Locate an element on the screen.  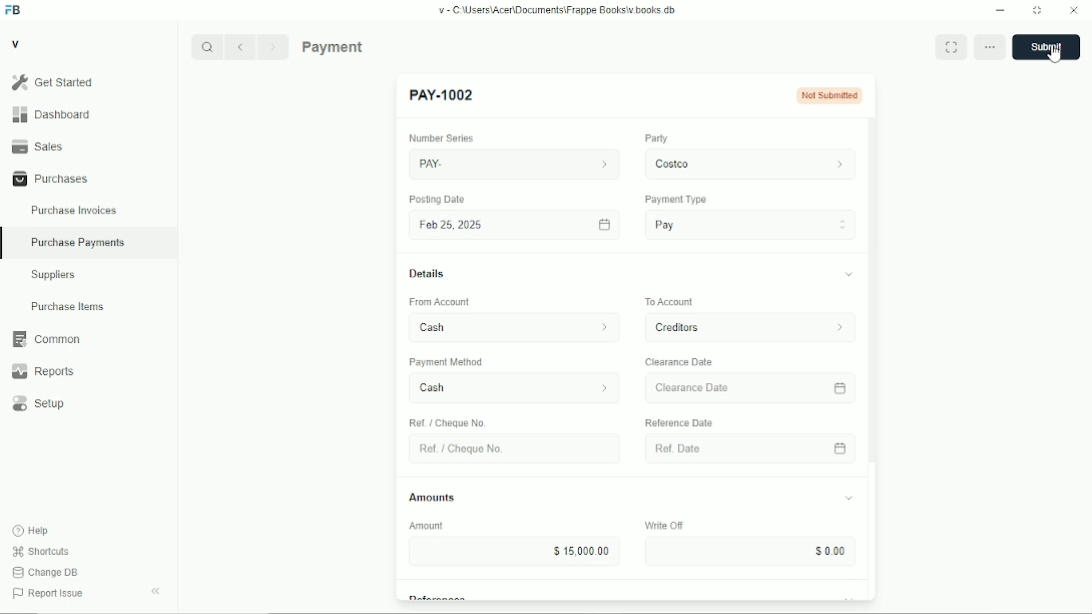
‘From Account is located at coordinates (438, 303).